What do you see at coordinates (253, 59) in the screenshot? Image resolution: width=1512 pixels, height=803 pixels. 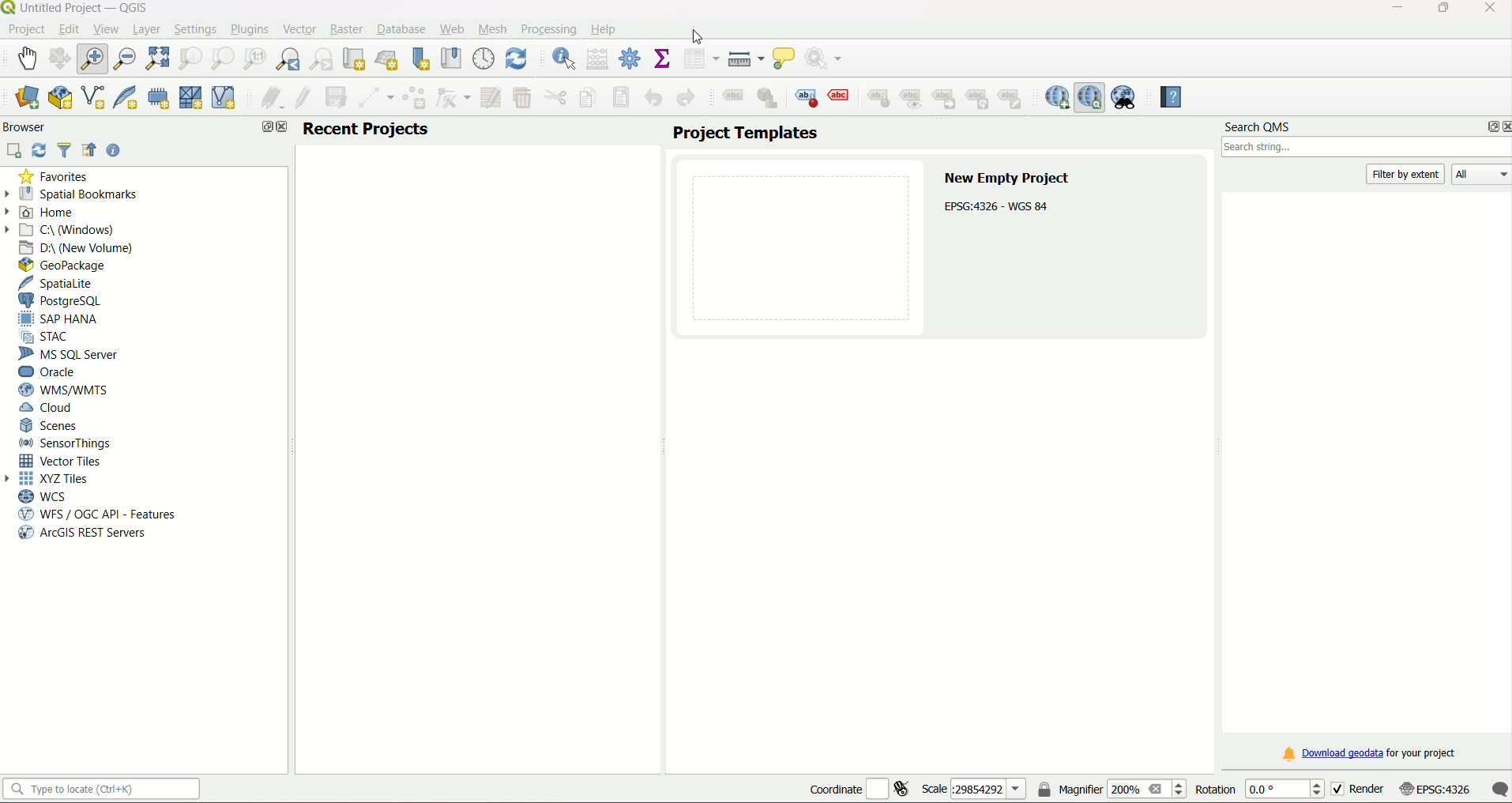 I see `zoom to navigate resolution` at bounding box center [253, 59].